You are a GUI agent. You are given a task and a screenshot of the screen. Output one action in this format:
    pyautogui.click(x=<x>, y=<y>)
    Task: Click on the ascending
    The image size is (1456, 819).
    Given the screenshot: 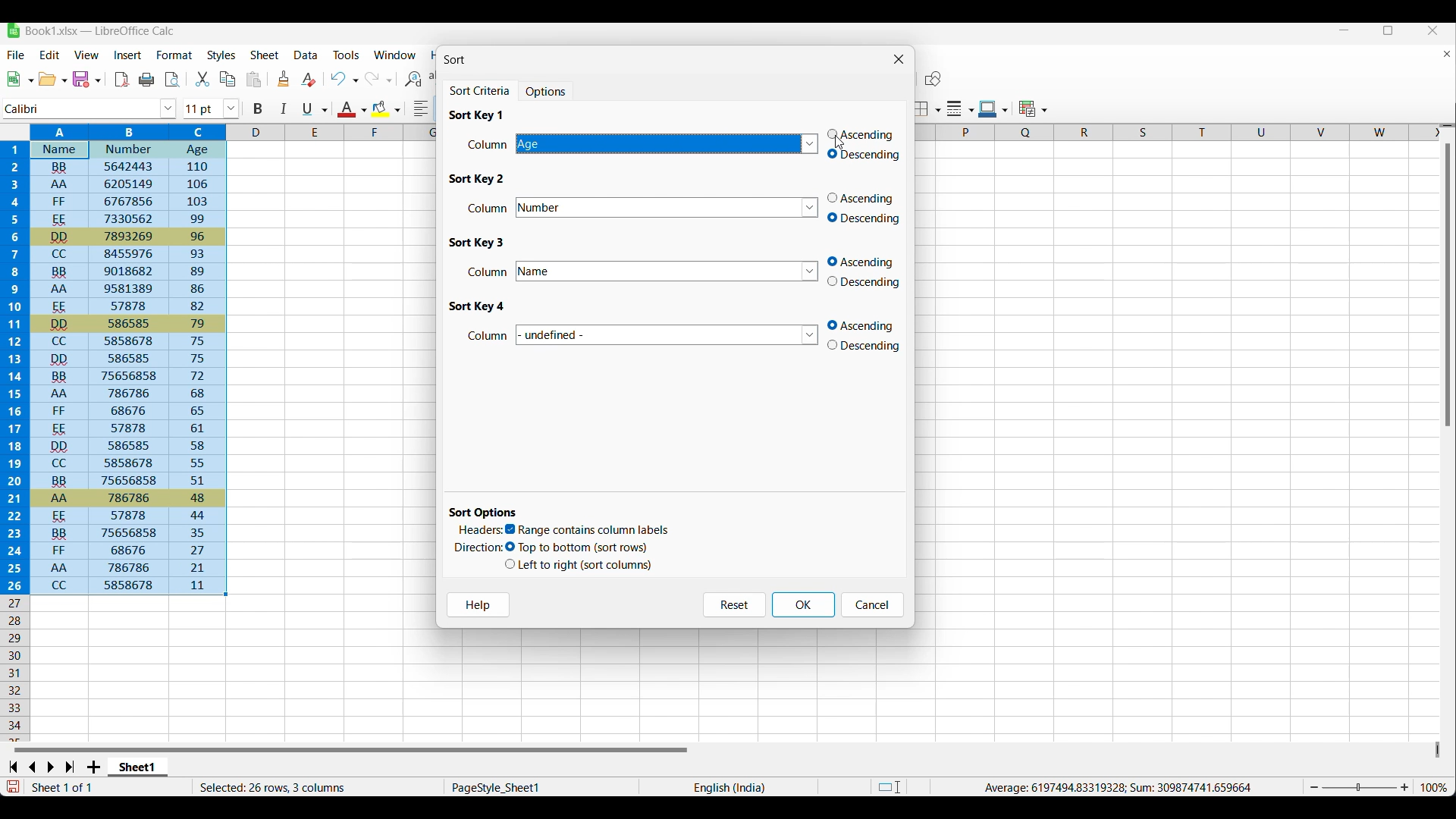 What is the action you would take?
    pyautogui.click(x=862, y=133)
    